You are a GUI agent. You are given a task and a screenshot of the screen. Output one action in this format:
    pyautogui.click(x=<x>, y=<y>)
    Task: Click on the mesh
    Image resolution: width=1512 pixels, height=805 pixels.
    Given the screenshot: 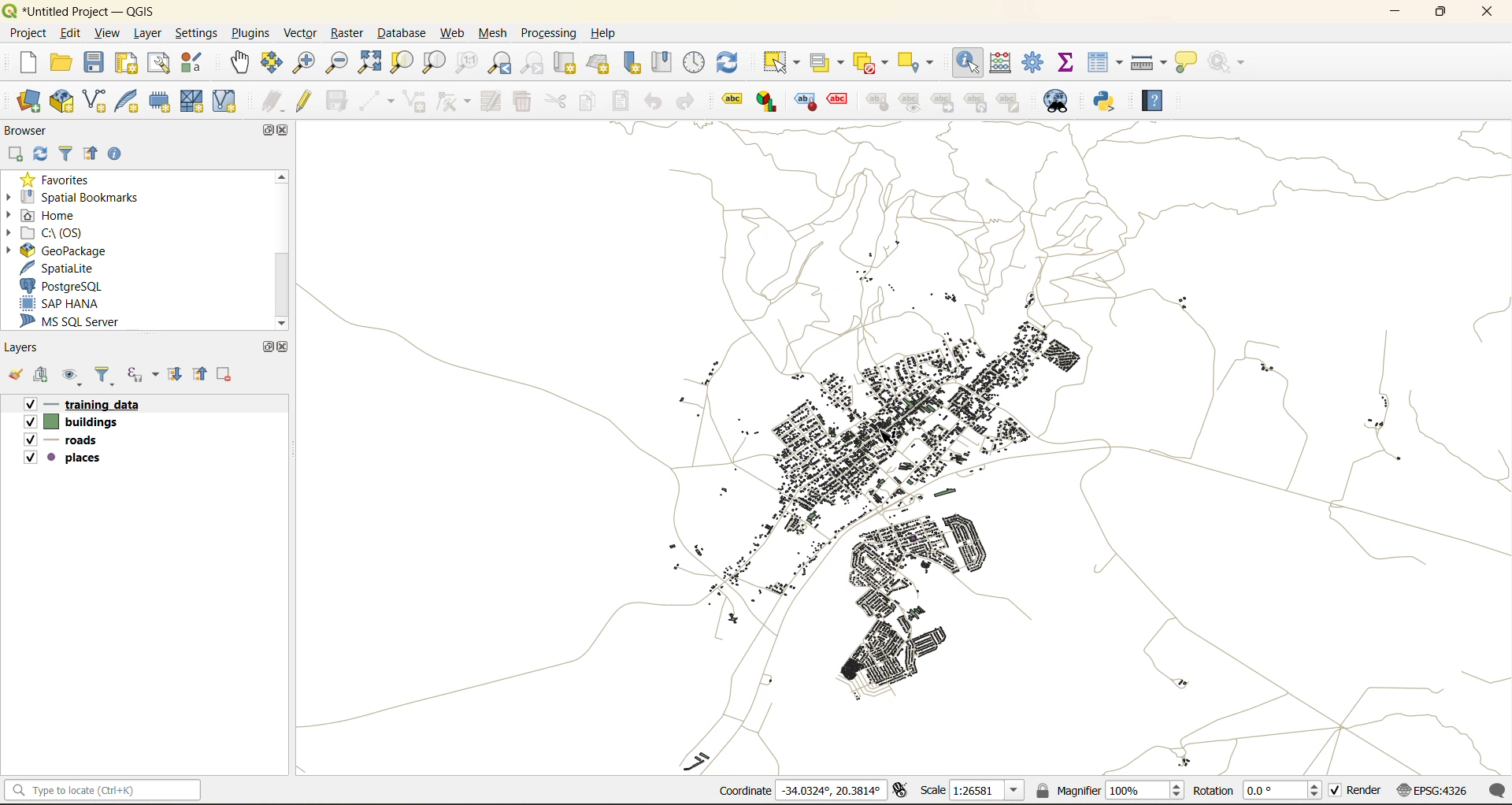 What is the action you would take?
    pyautogui.click(x=194, y=101)
    